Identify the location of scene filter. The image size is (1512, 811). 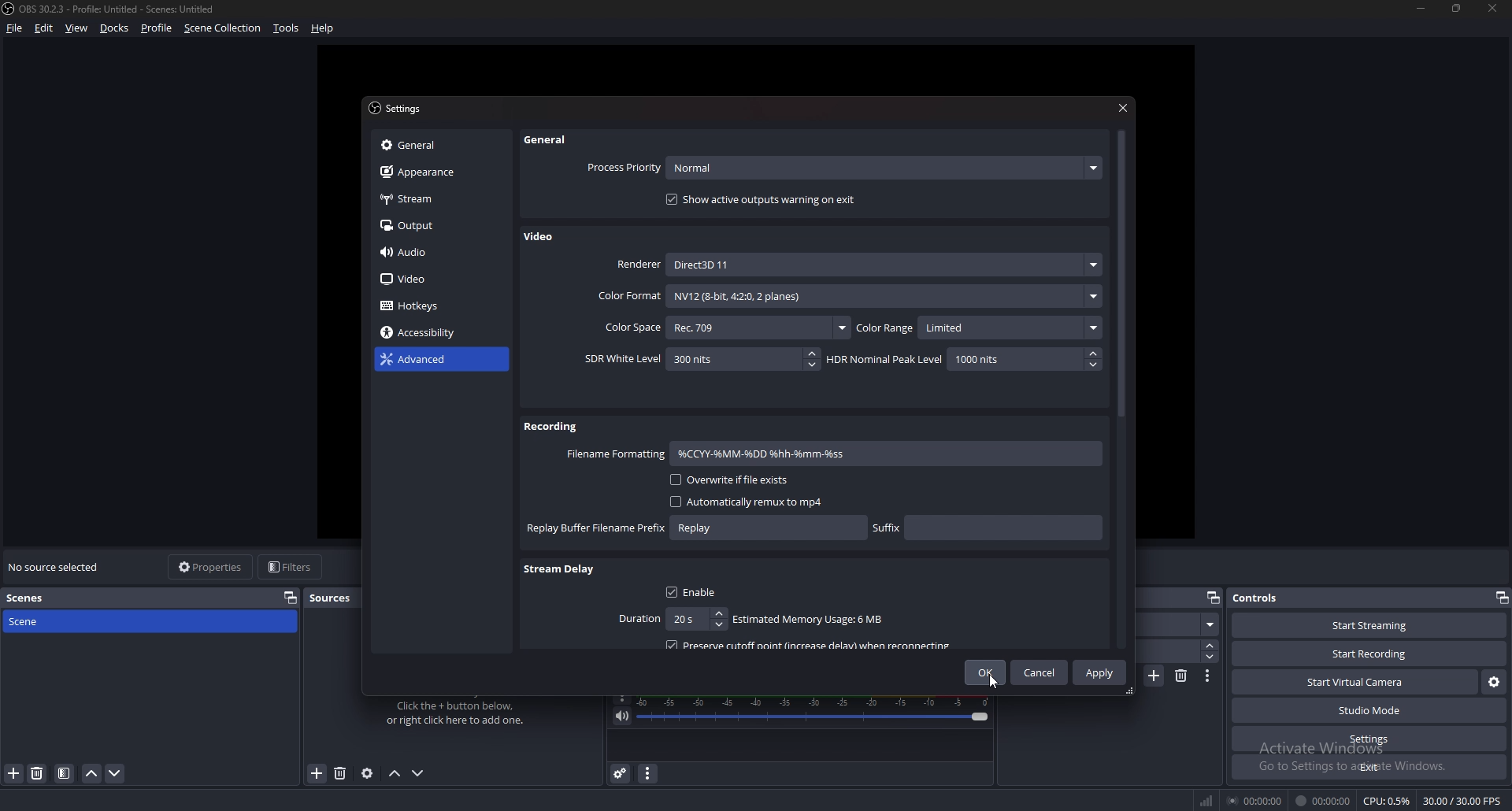
(63, 773).